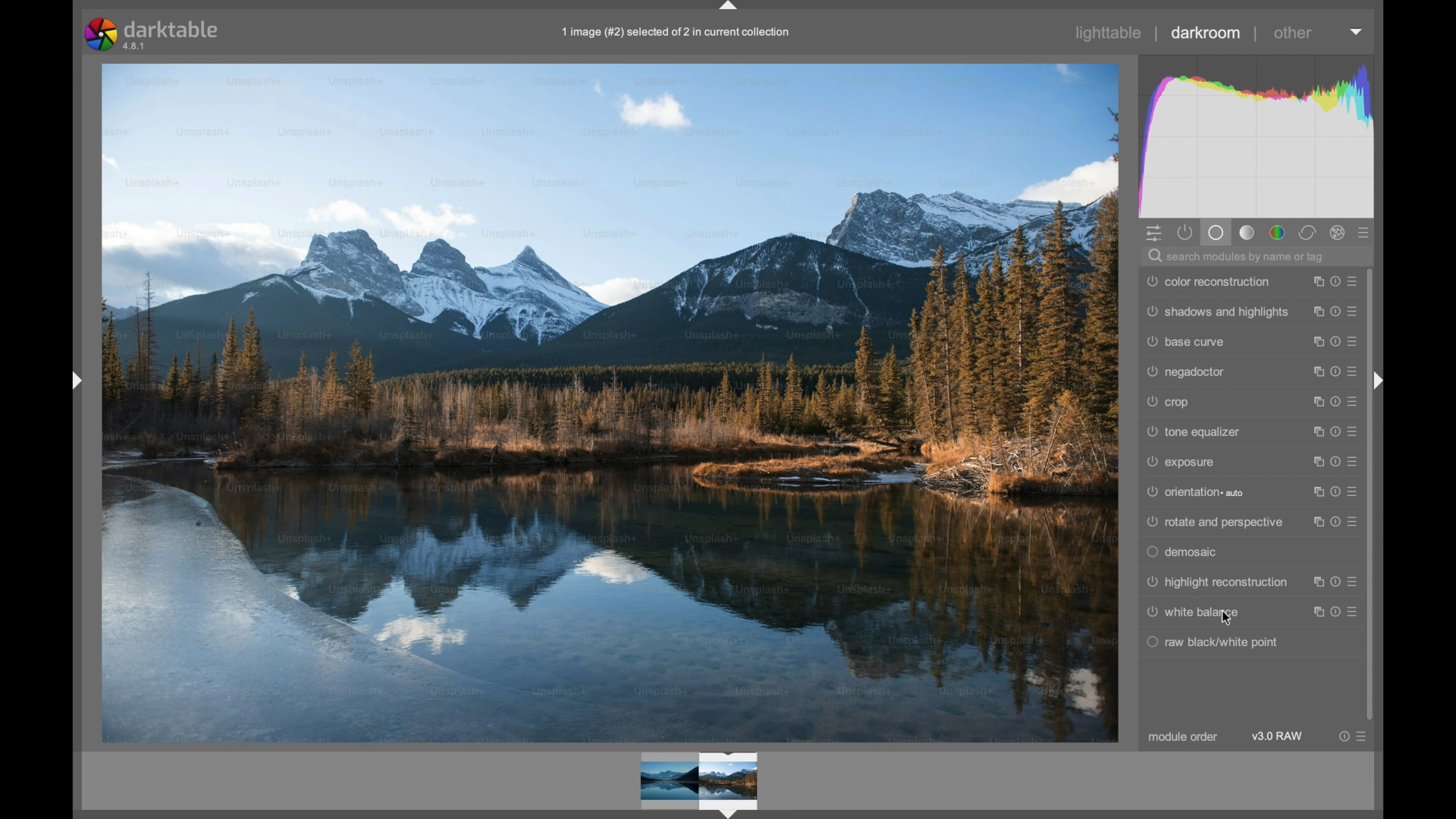  What do you see at coordinates (1336, 611) in the screenshot?
I see `reset parameters` at bounding box center [1336, 611].